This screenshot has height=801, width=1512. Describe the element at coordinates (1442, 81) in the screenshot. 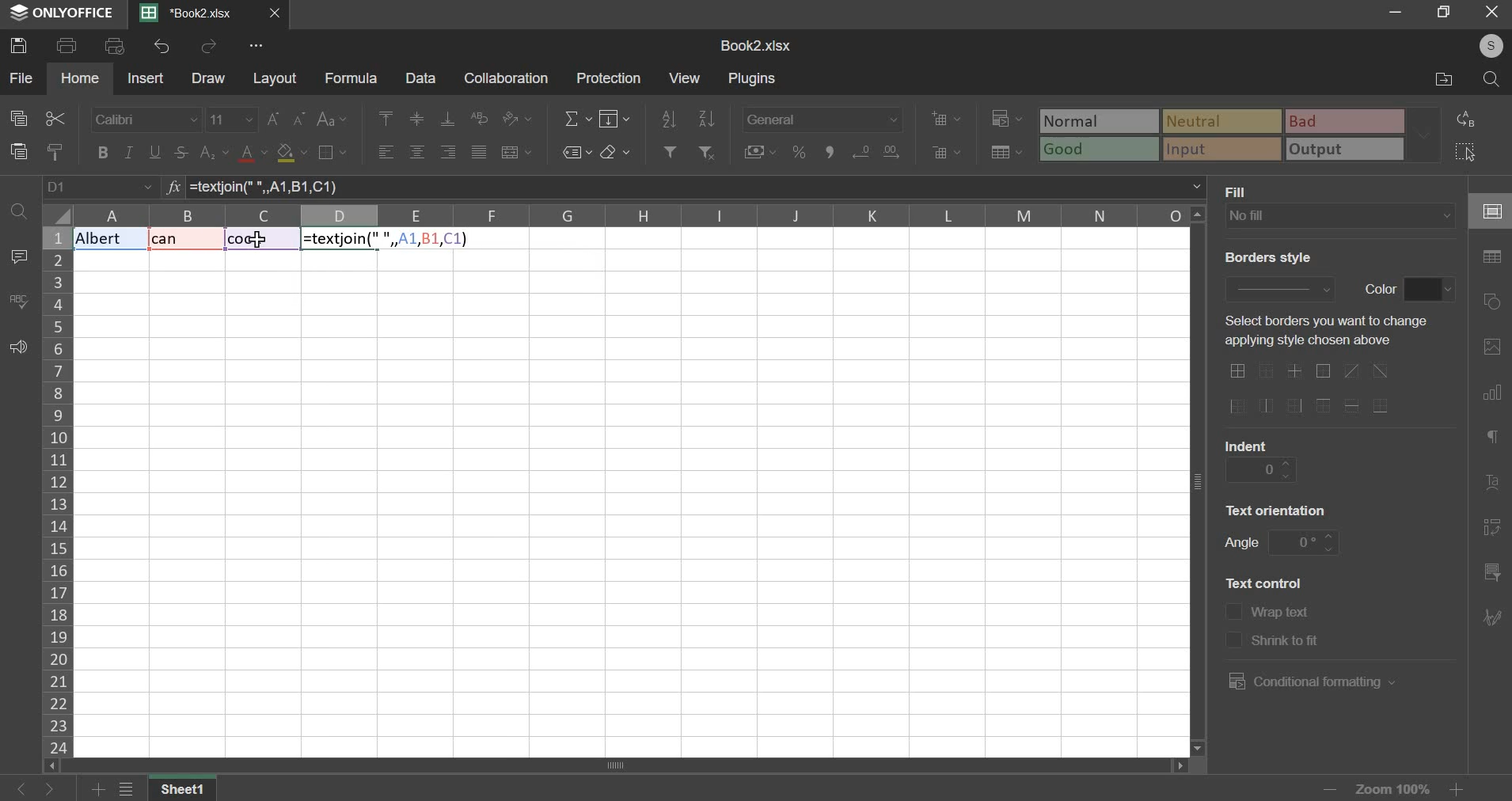

I see `file location` at that location.